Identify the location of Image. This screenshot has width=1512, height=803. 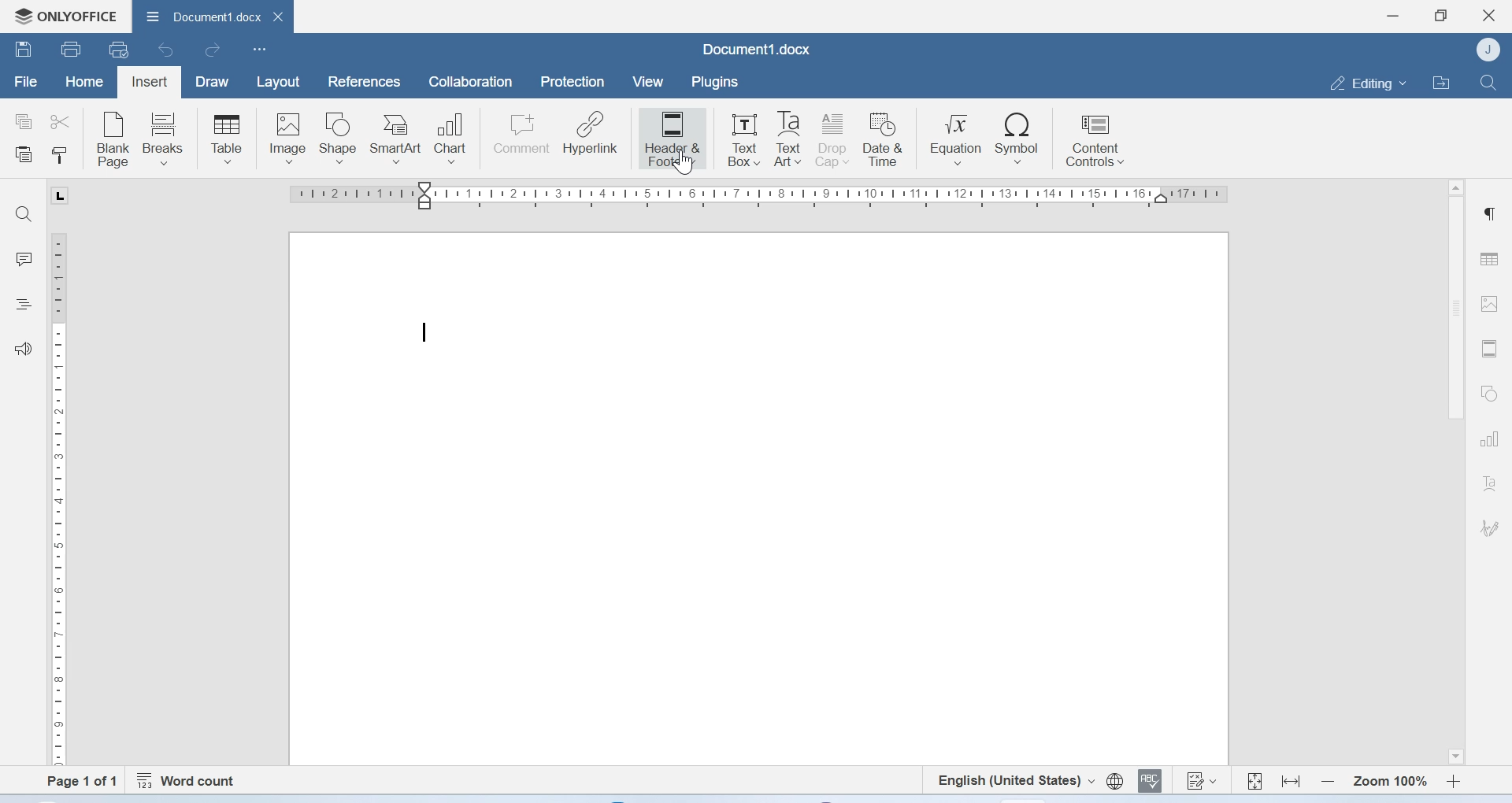
(1492, 306).